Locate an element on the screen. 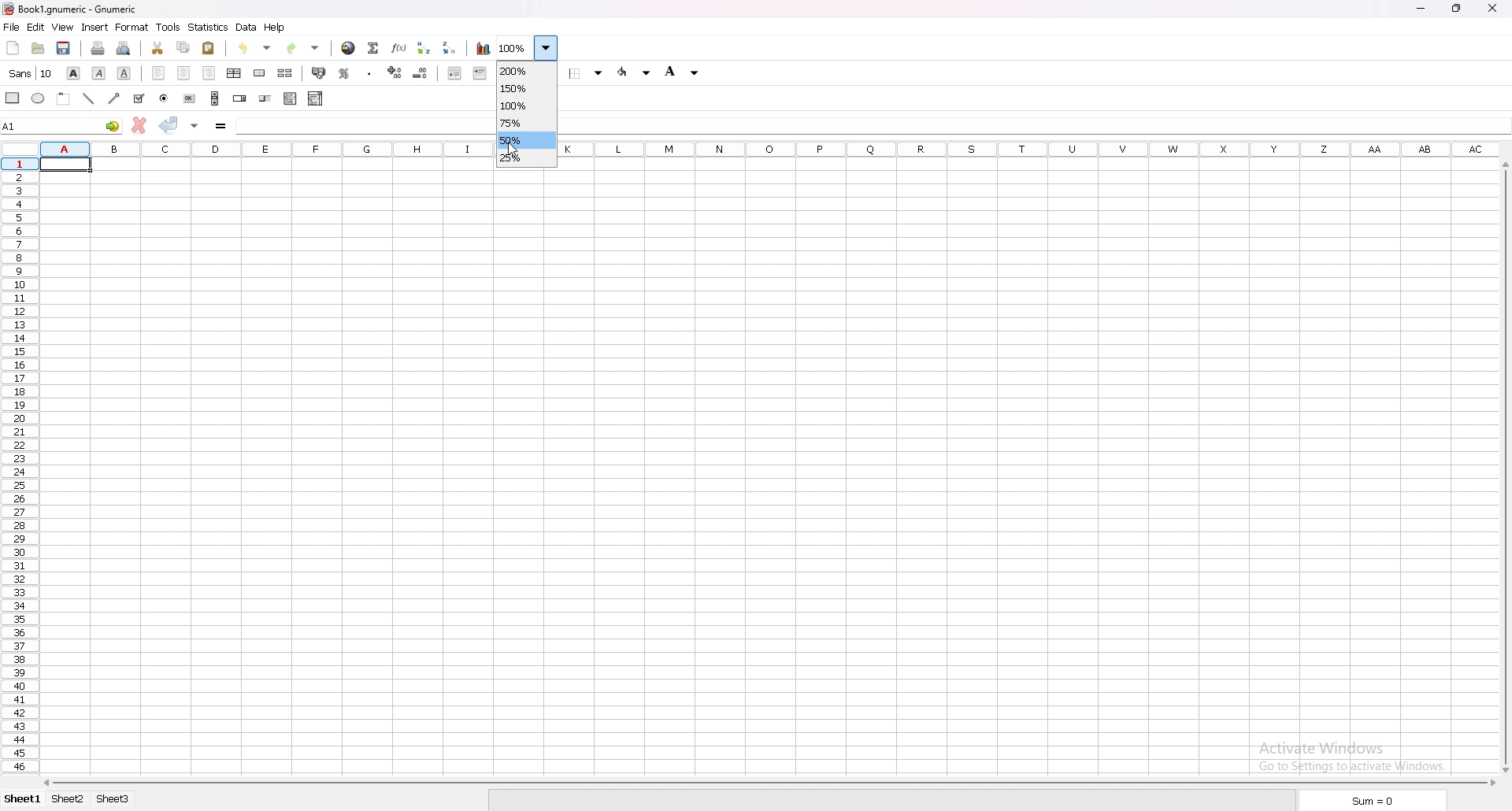 The height and width of the screenshot is (811, 1512). rectangle is located at coordinates (13, 98).